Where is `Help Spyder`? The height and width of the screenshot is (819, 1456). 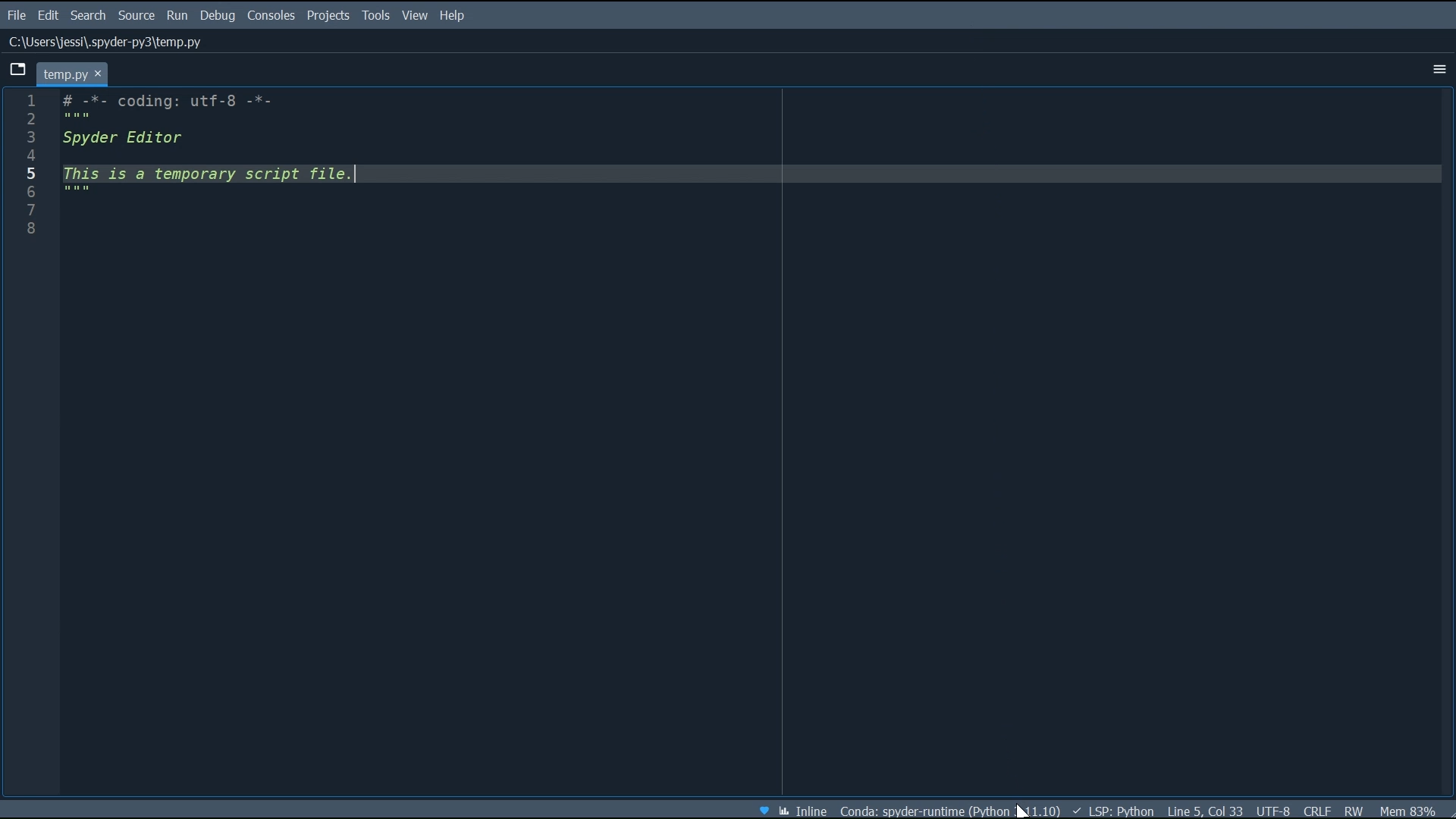
Help Spyder is located at coordinates (764, 808).